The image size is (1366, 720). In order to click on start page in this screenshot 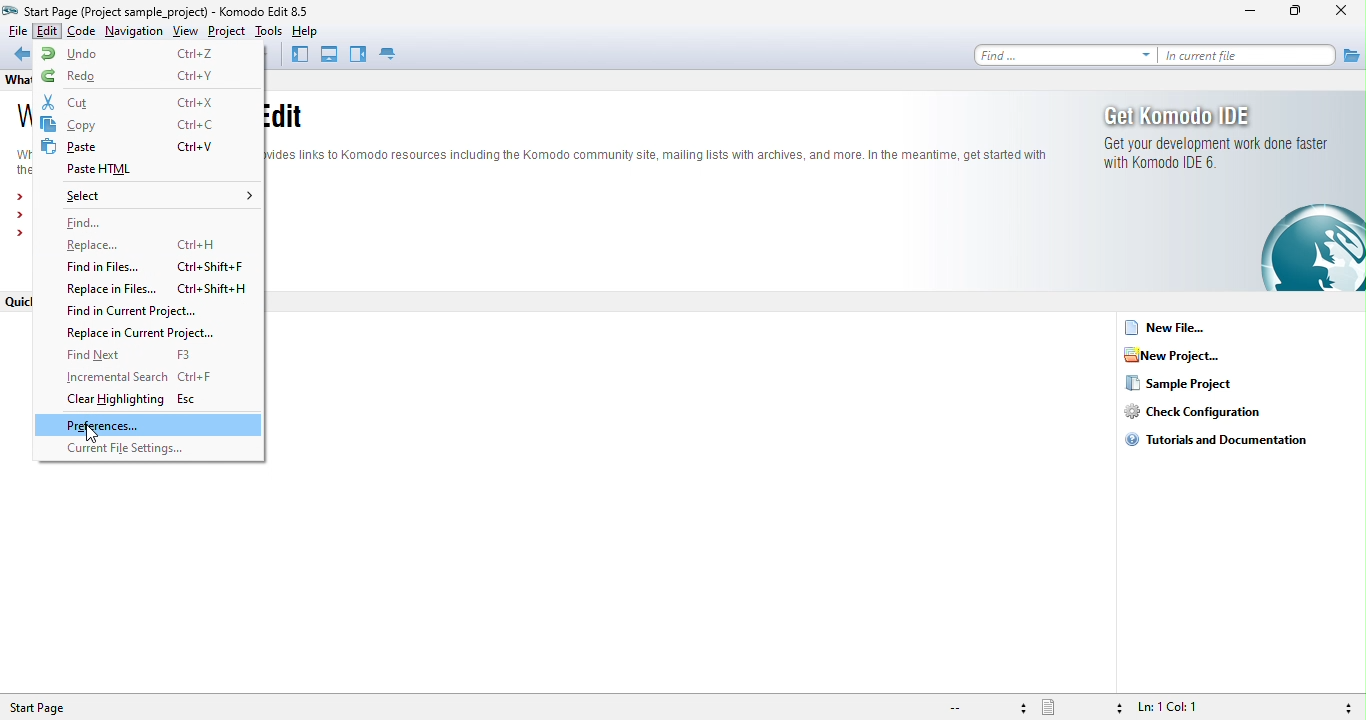, I will do `click(48, 708)`.